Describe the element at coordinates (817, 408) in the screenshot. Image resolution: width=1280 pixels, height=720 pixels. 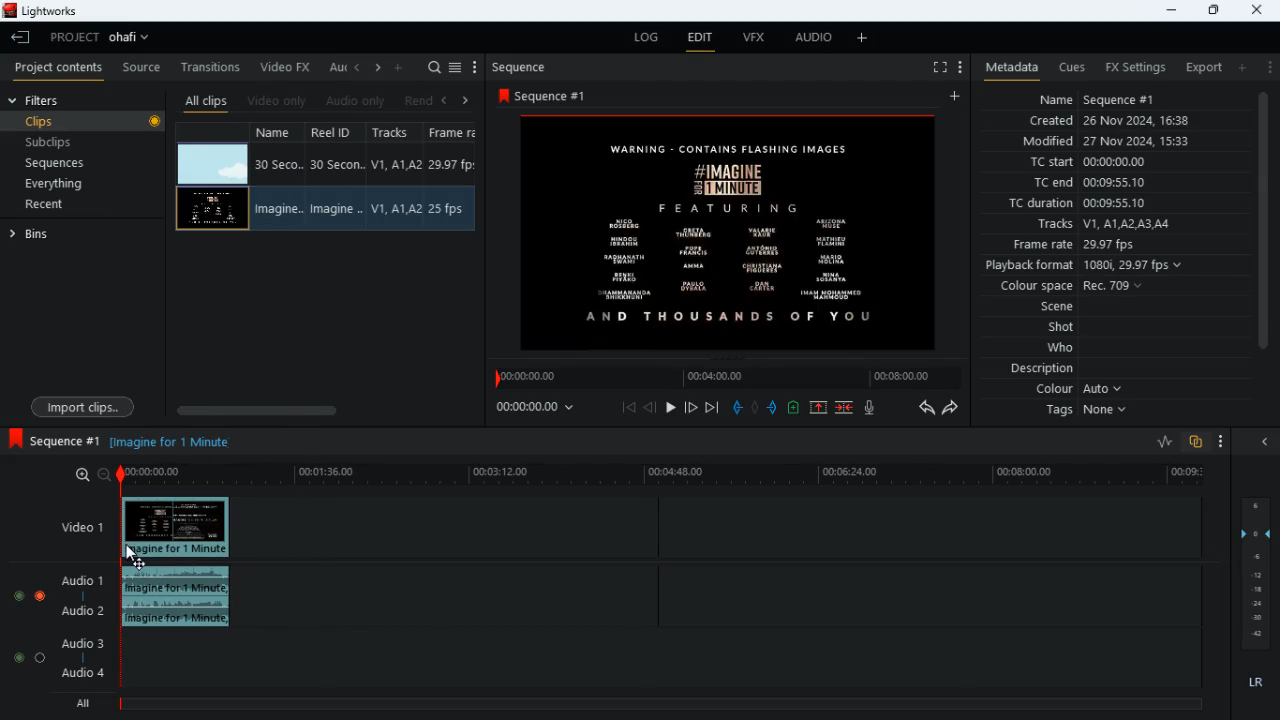
I see `up` at that location.